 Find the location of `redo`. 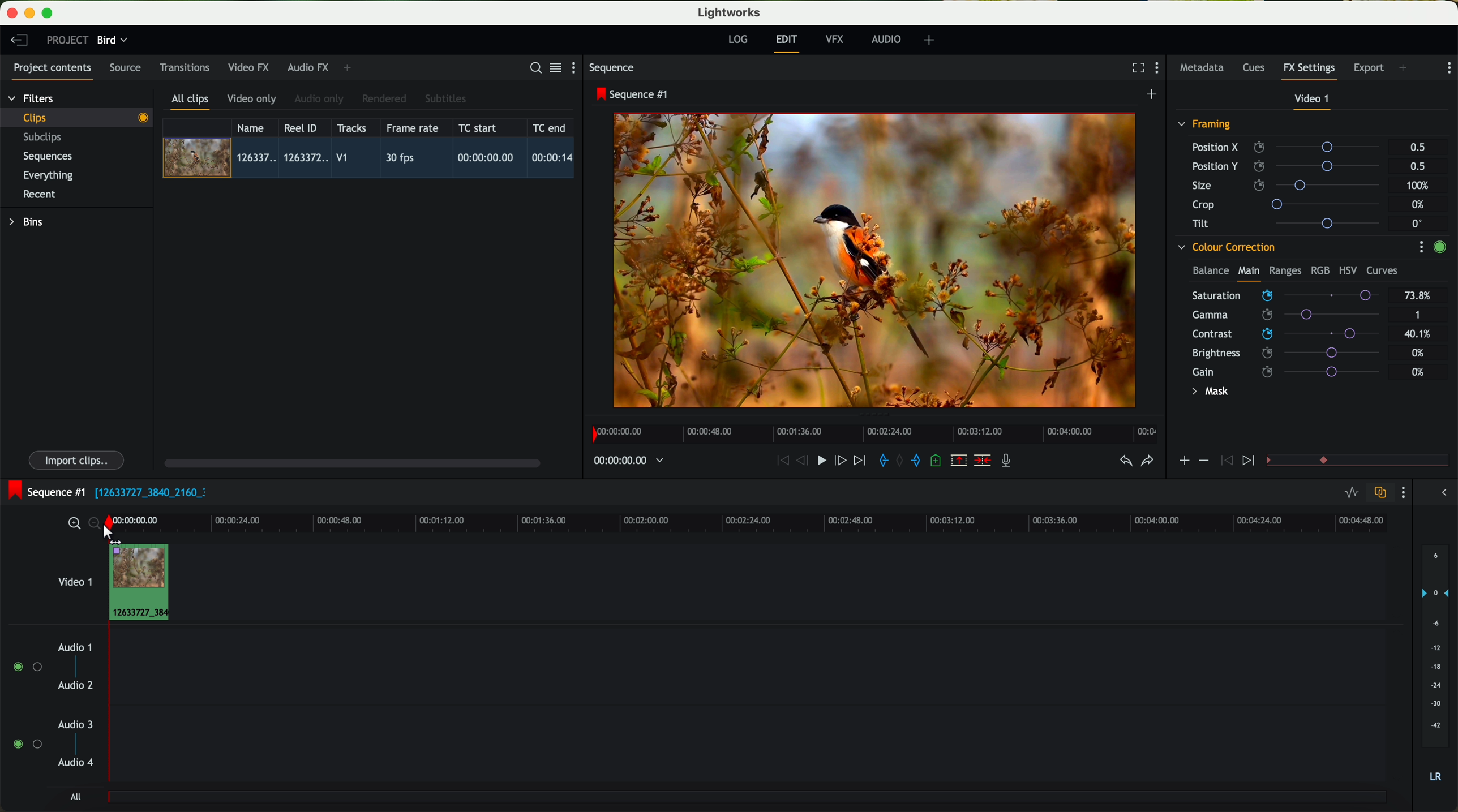

redo is located at coordinates (1147, 462).